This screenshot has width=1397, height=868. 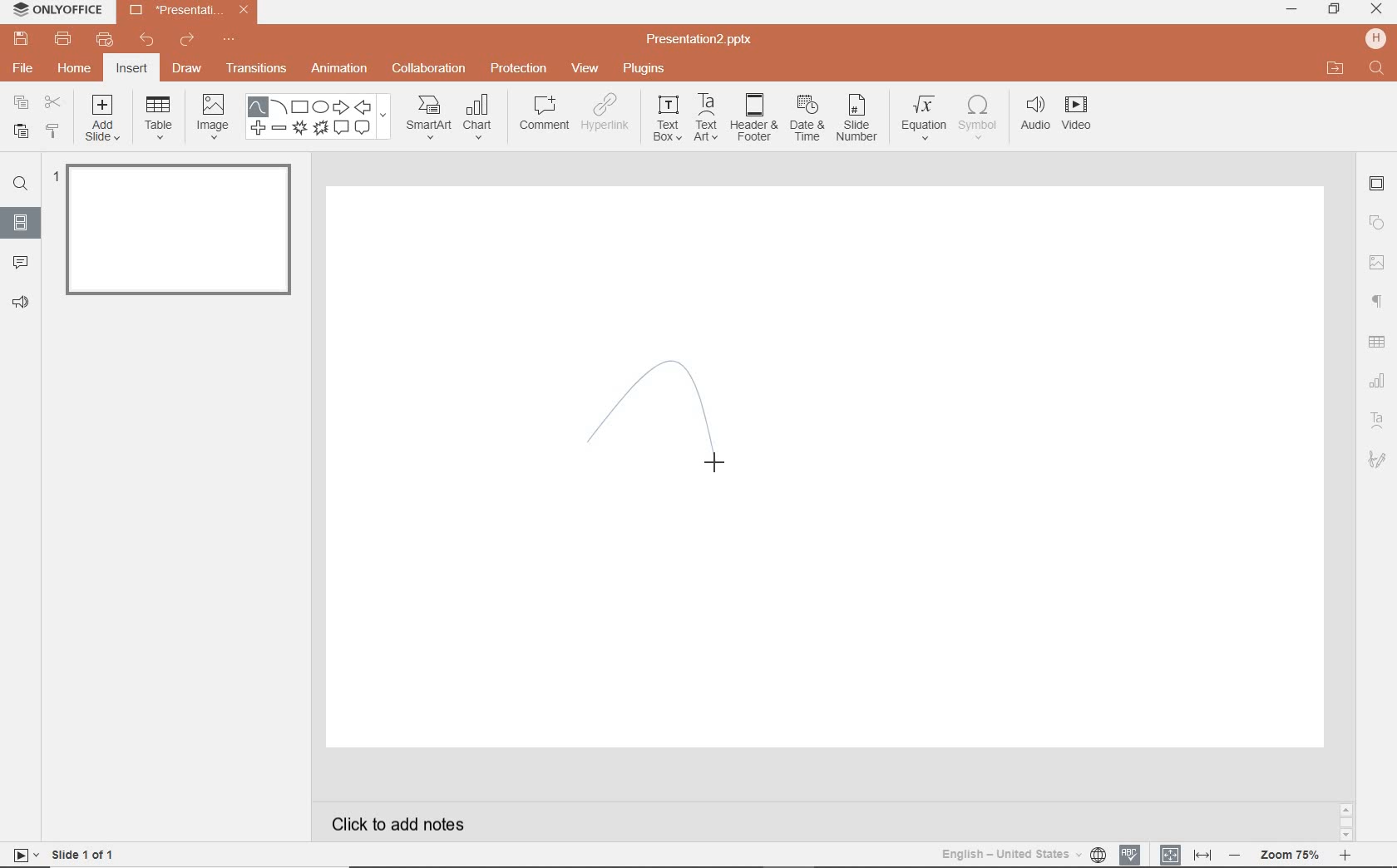 What do you see at coordinates (1378, 185) in the screenshot?
I see `SLIDE SETTINGS` at bounding box center [1378, 185].